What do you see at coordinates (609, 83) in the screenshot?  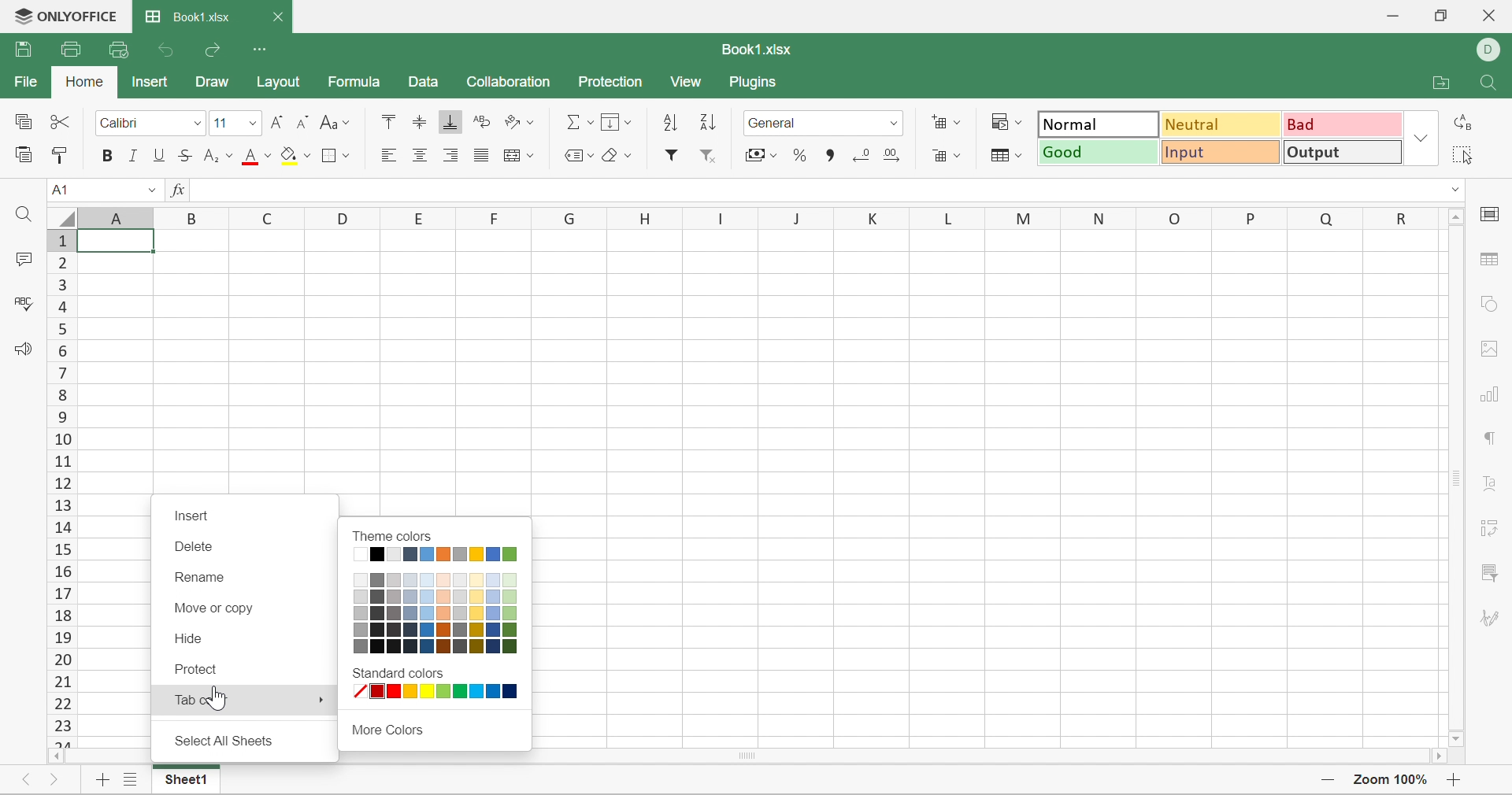 I see `Protection` at bounding box center [609, 83].